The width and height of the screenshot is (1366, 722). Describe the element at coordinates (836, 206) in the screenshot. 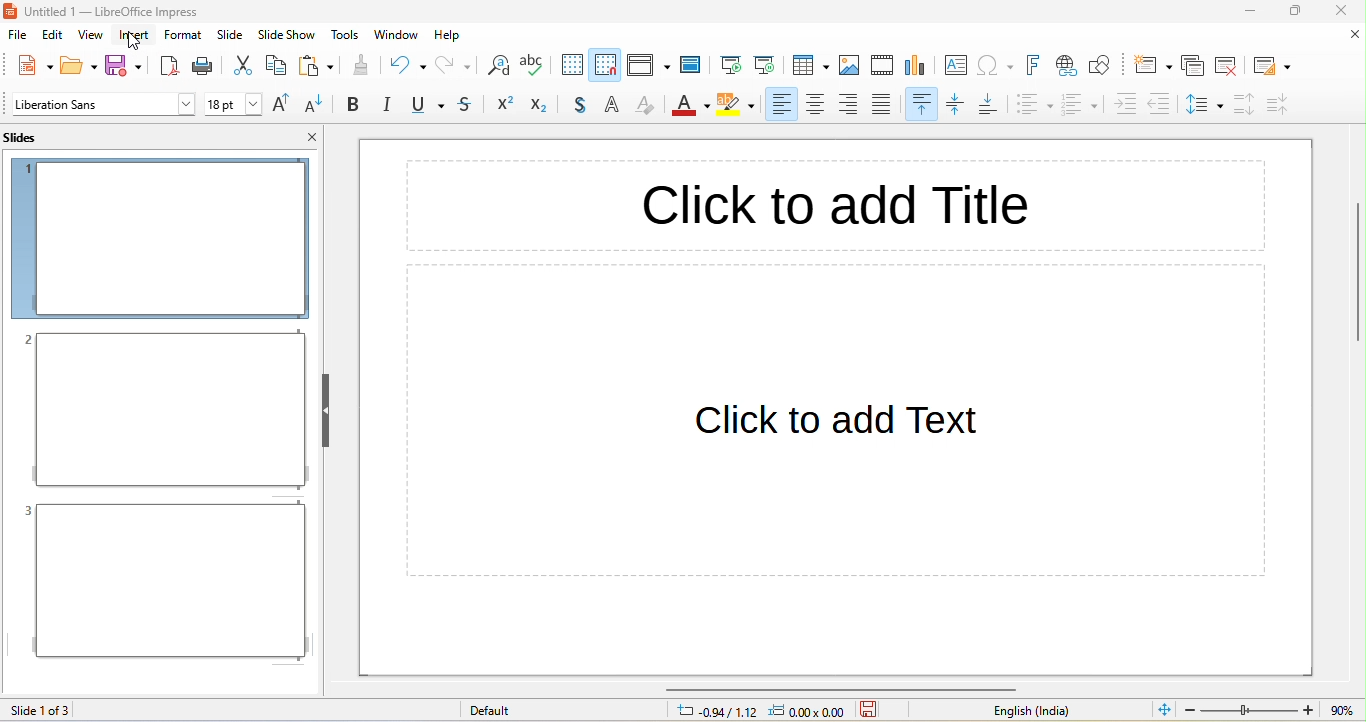

I see `click to add title` at that location.